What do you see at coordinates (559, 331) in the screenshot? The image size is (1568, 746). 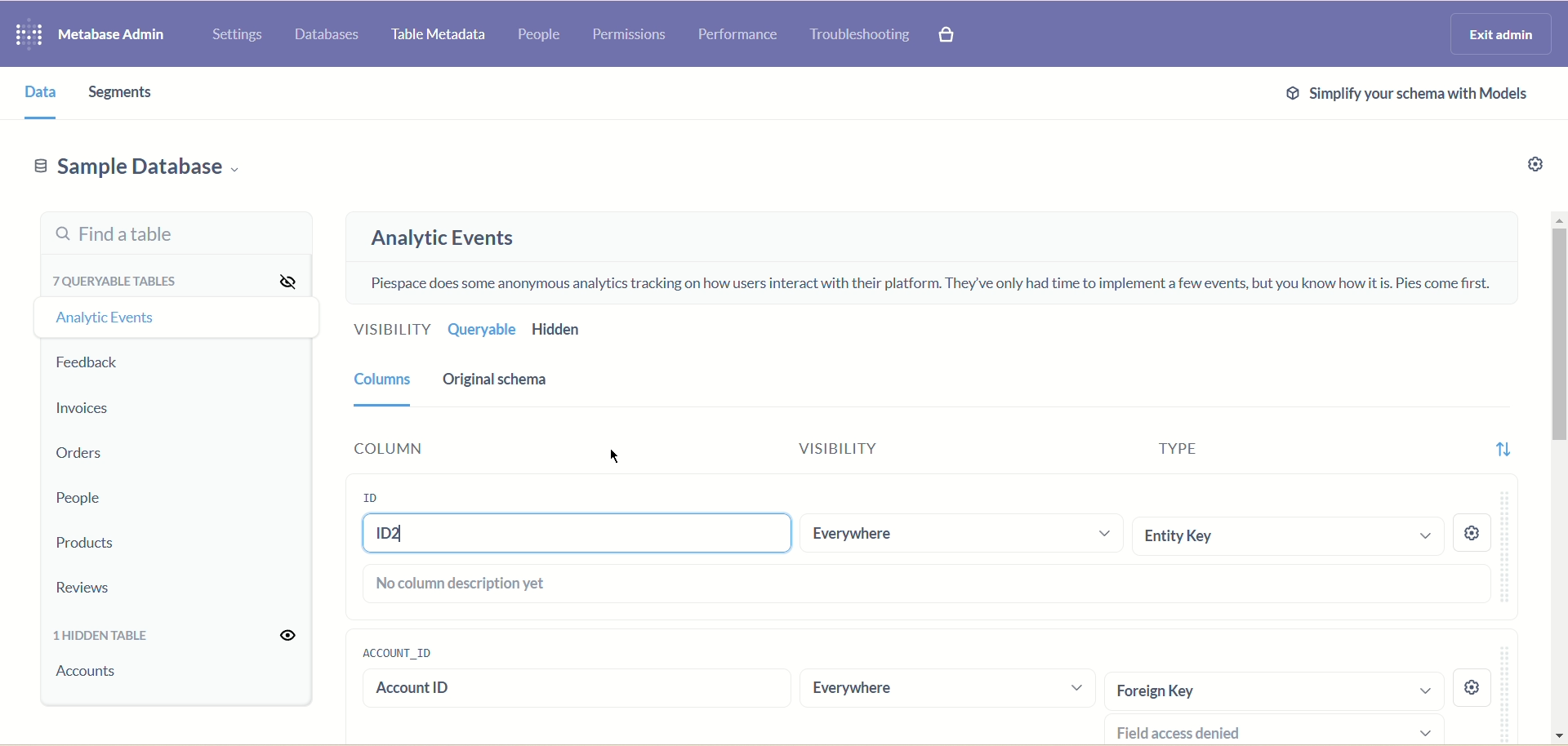 I see `Hidden` at bounding box center [559, 331].